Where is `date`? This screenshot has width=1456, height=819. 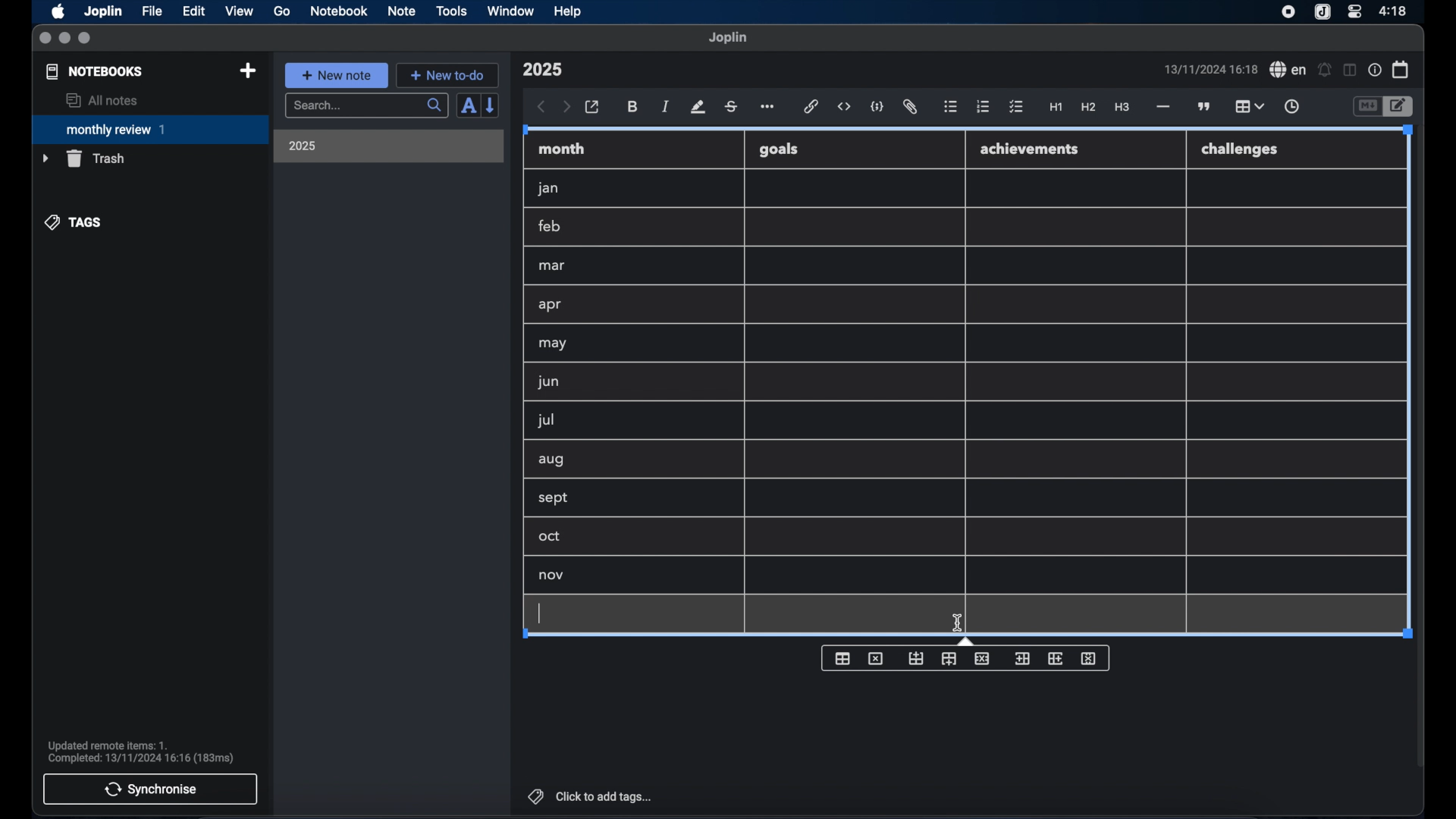 date is located at coordinates (1210, 69).